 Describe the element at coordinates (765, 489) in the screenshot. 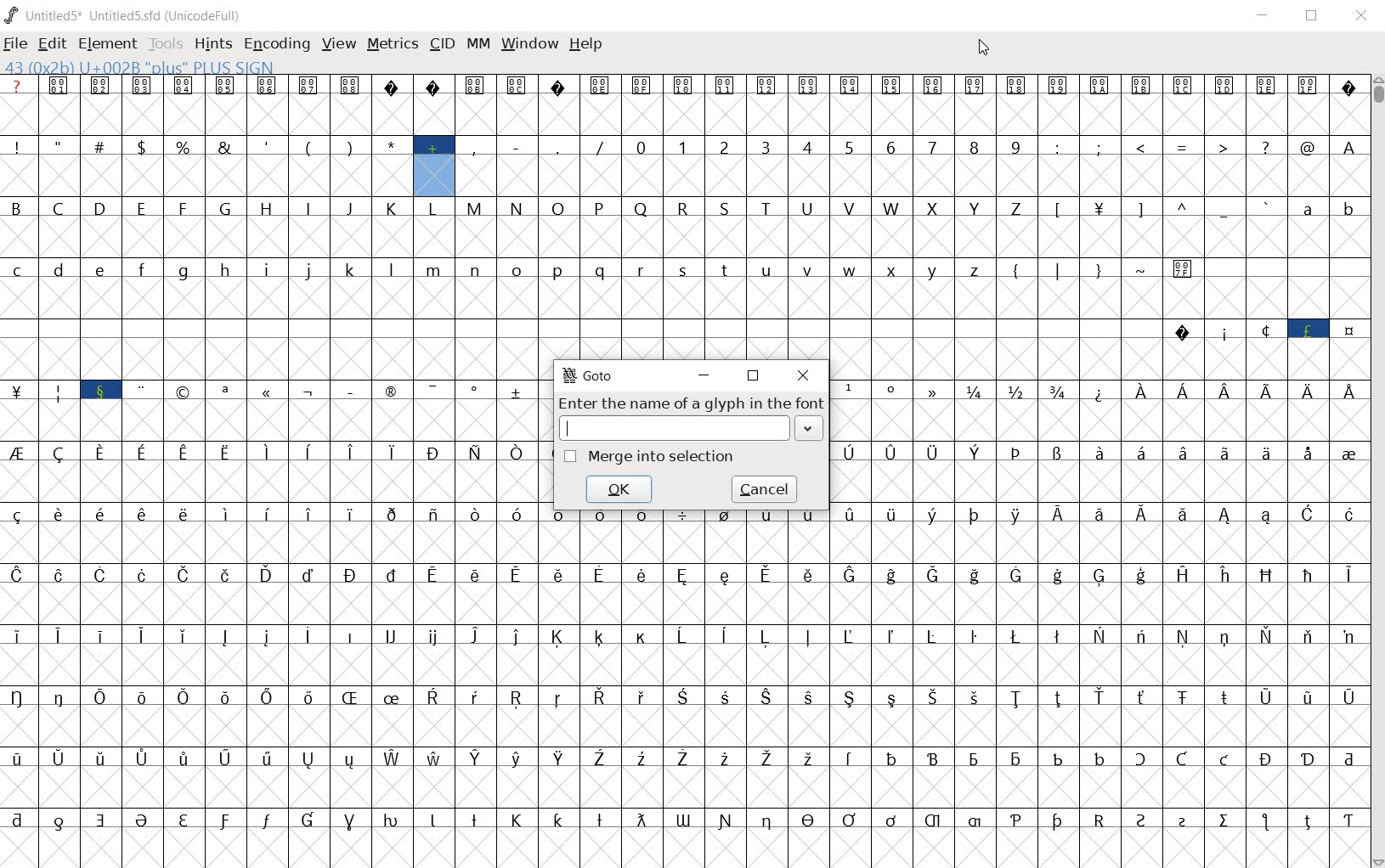

I see `cancel` at that location.